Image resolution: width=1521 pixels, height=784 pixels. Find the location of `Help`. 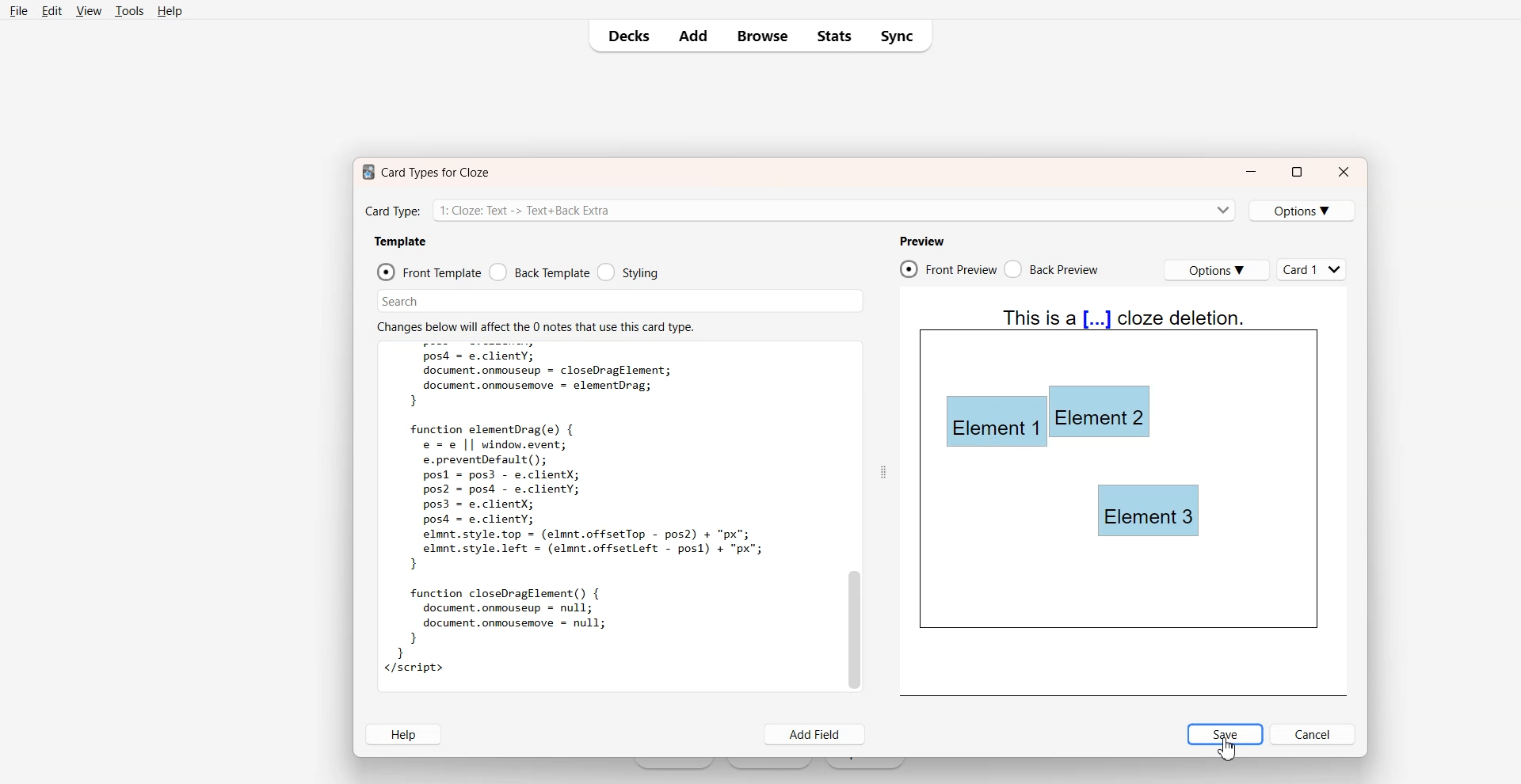

Help is located at coordinates (402, 734).